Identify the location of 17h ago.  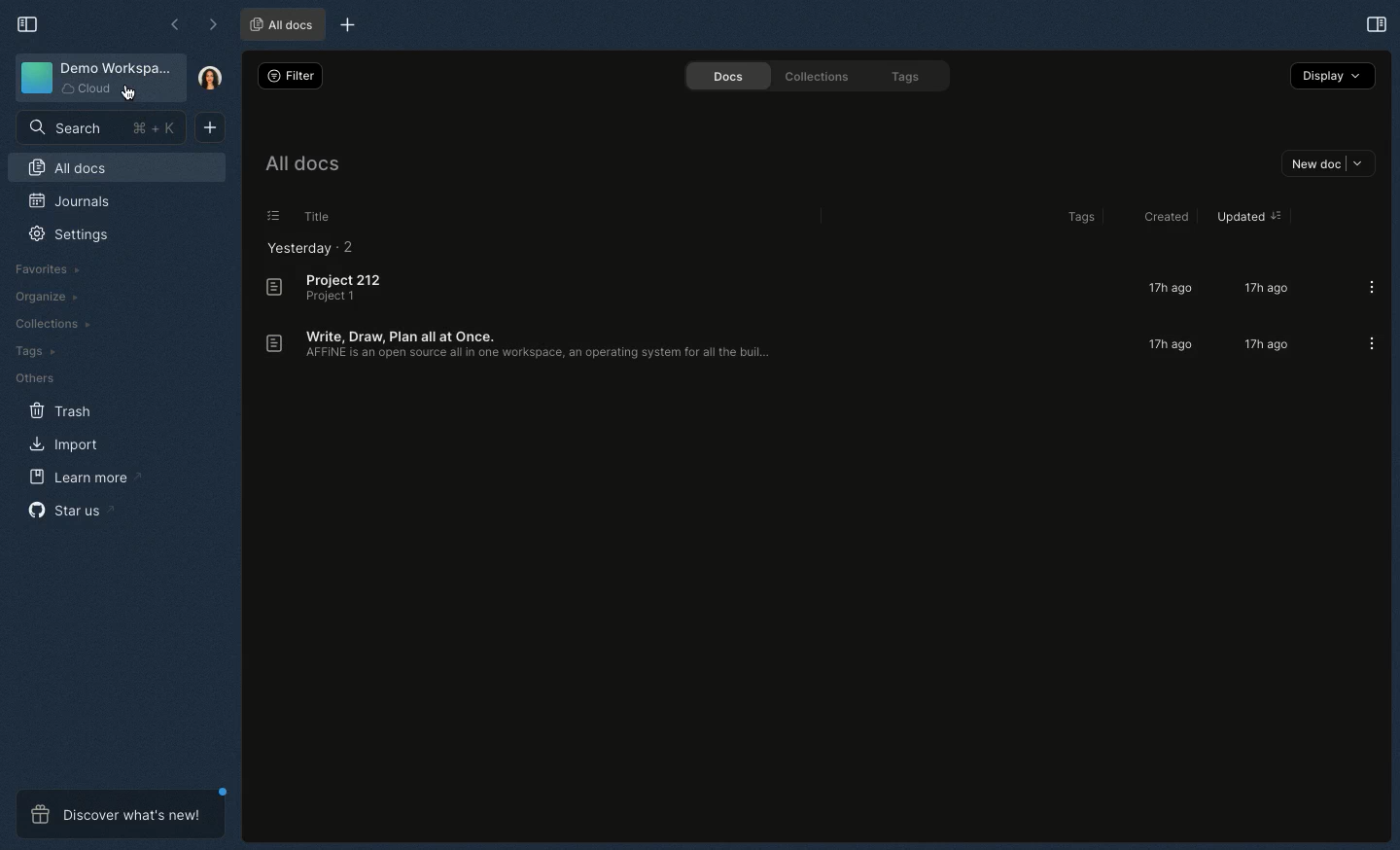
(1168, 289).